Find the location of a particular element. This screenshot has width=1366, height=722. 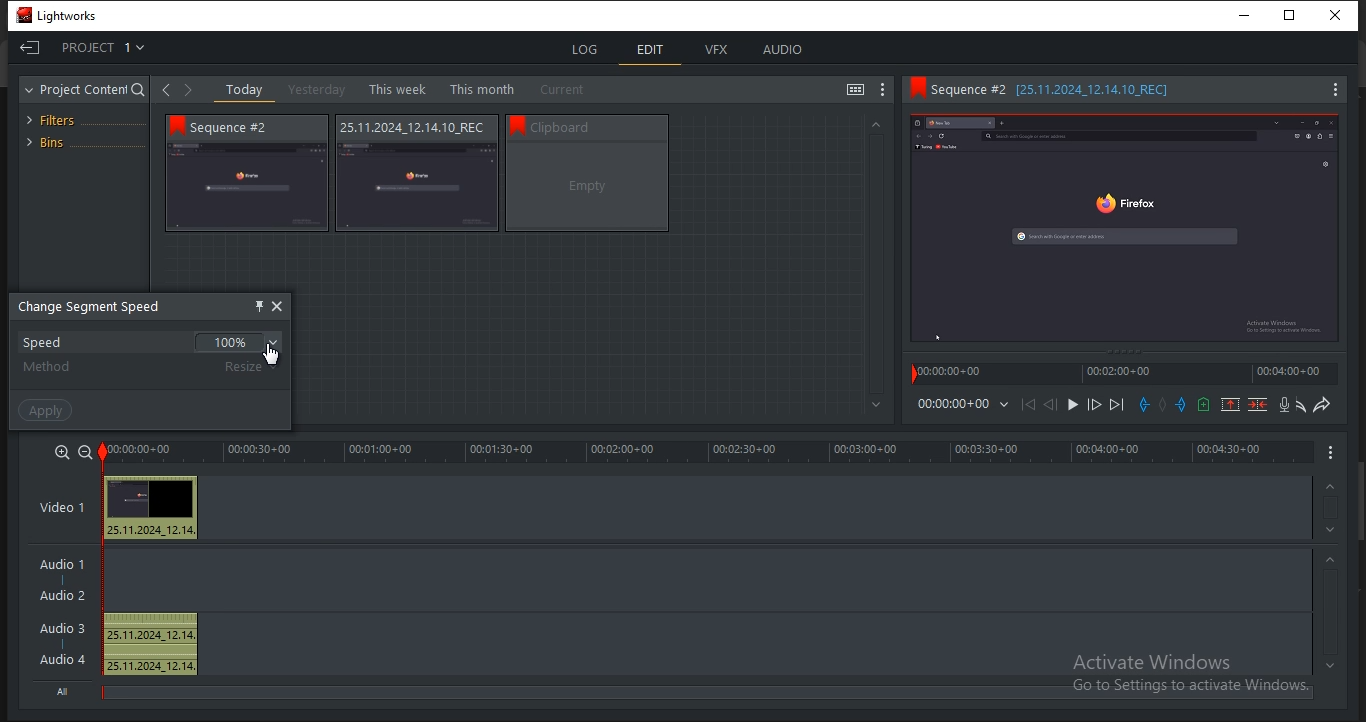

Playback marker is located at coordinates (907, 375).